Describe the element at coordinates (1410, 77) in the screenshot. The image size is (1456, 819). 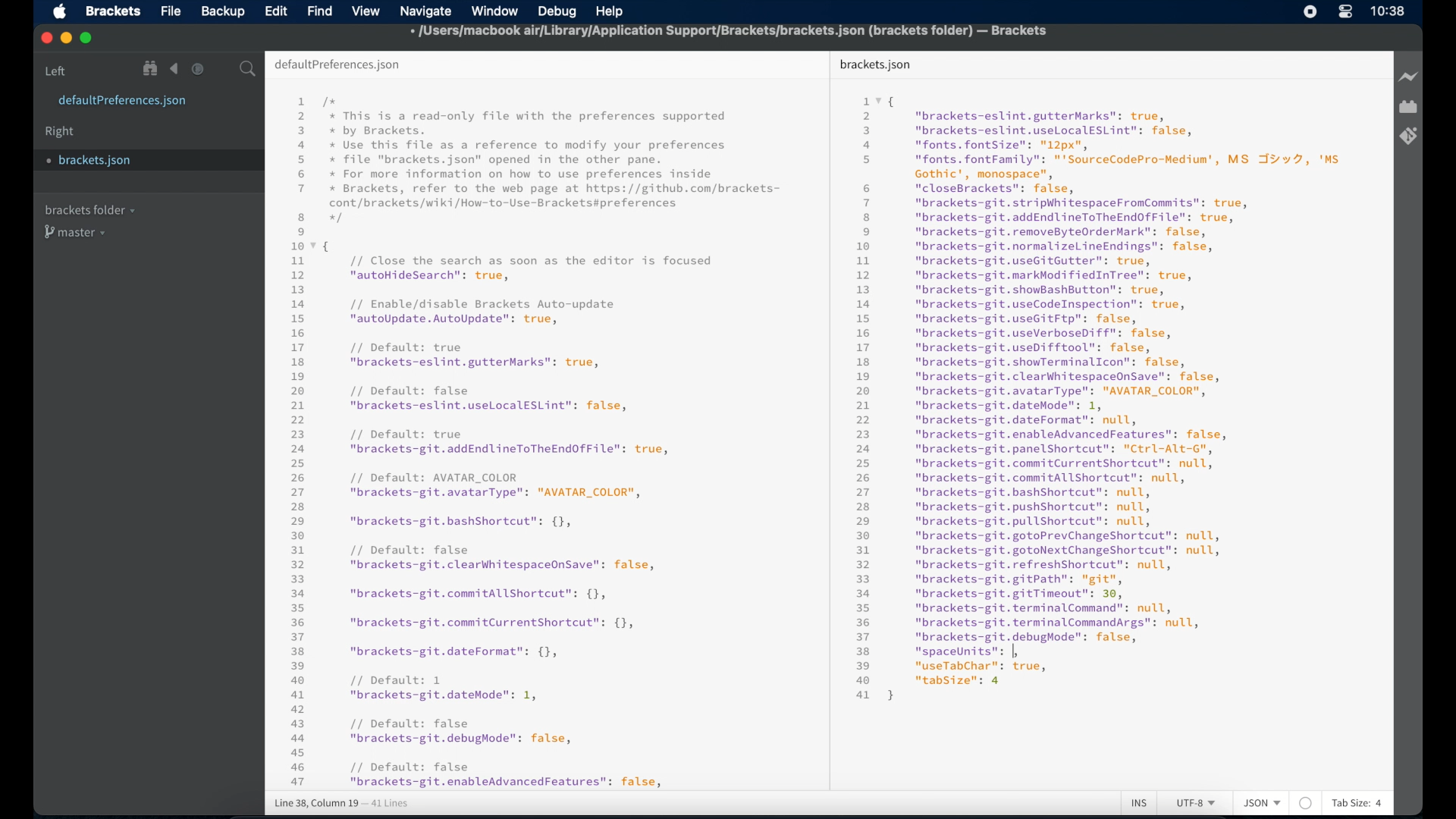
I see `live preview` at that location.